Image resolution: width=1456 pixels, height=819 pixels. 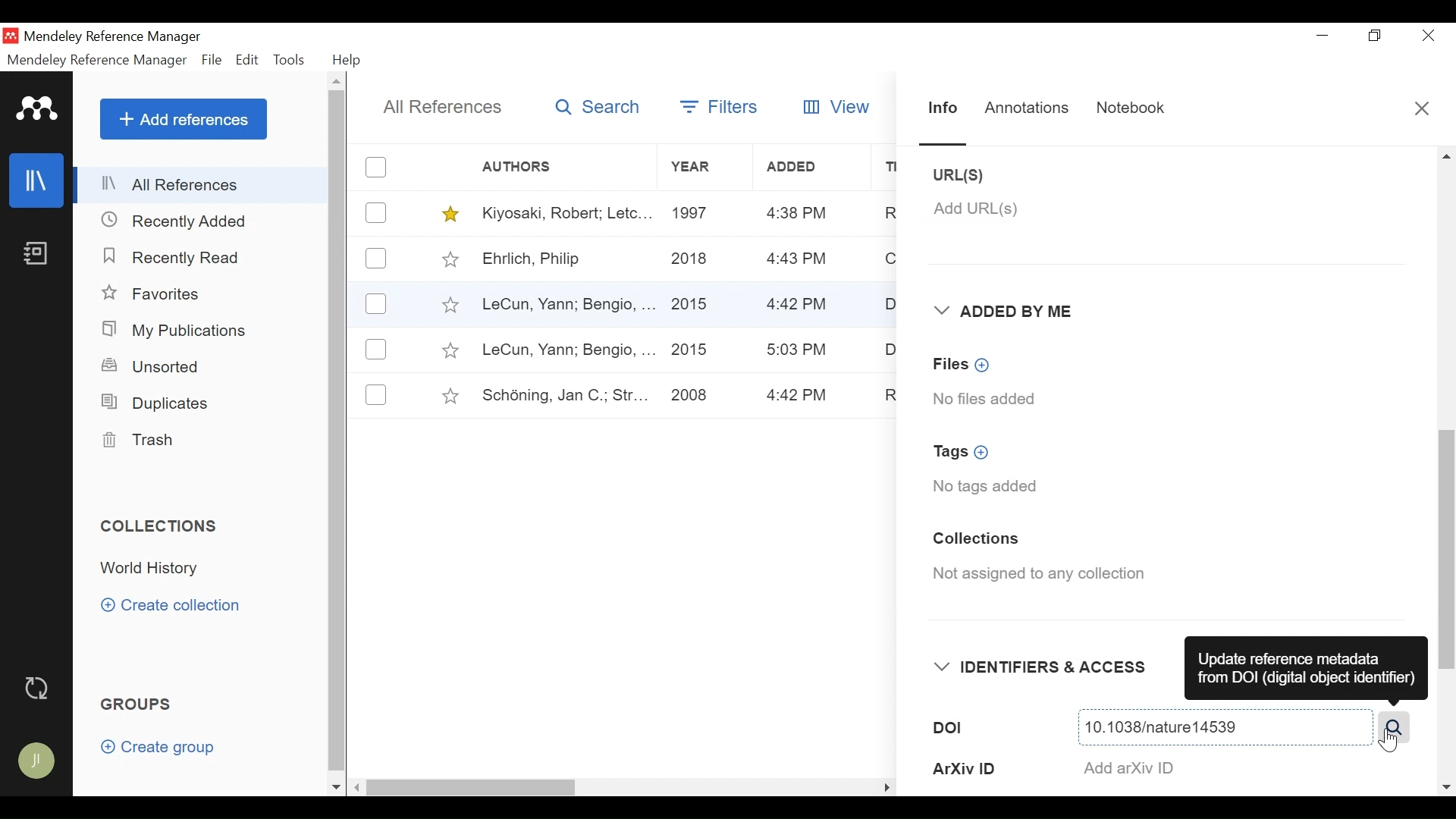 What do you see at coordinates (152, 402) in the screenshot?
I see `Duplicates` at bounding box center [152, 402].